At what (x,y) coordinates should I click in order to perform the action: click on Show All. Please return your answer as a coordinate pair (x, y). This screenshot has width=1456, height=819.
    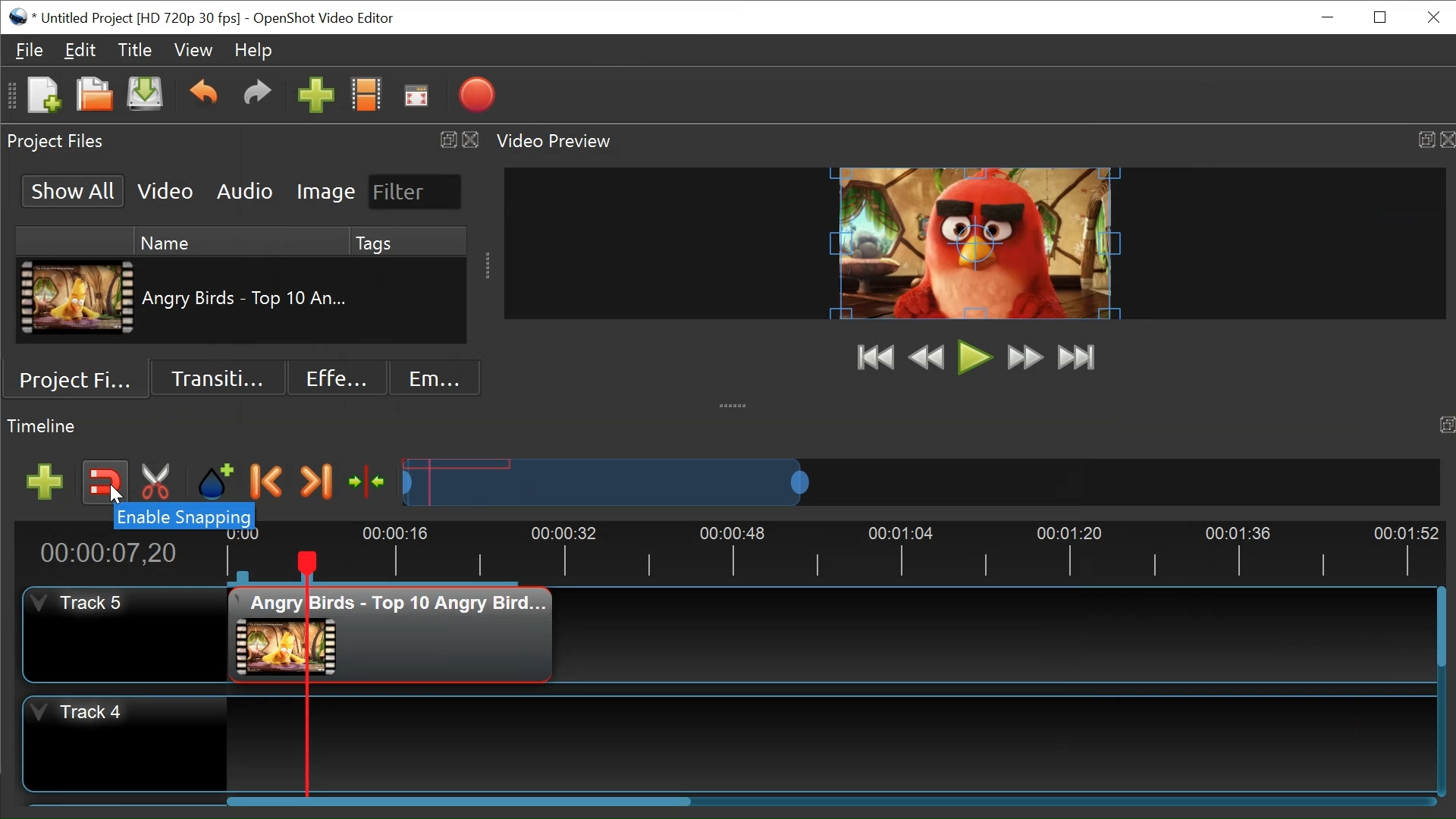
    Looking at the image, I should click on (74, 190).